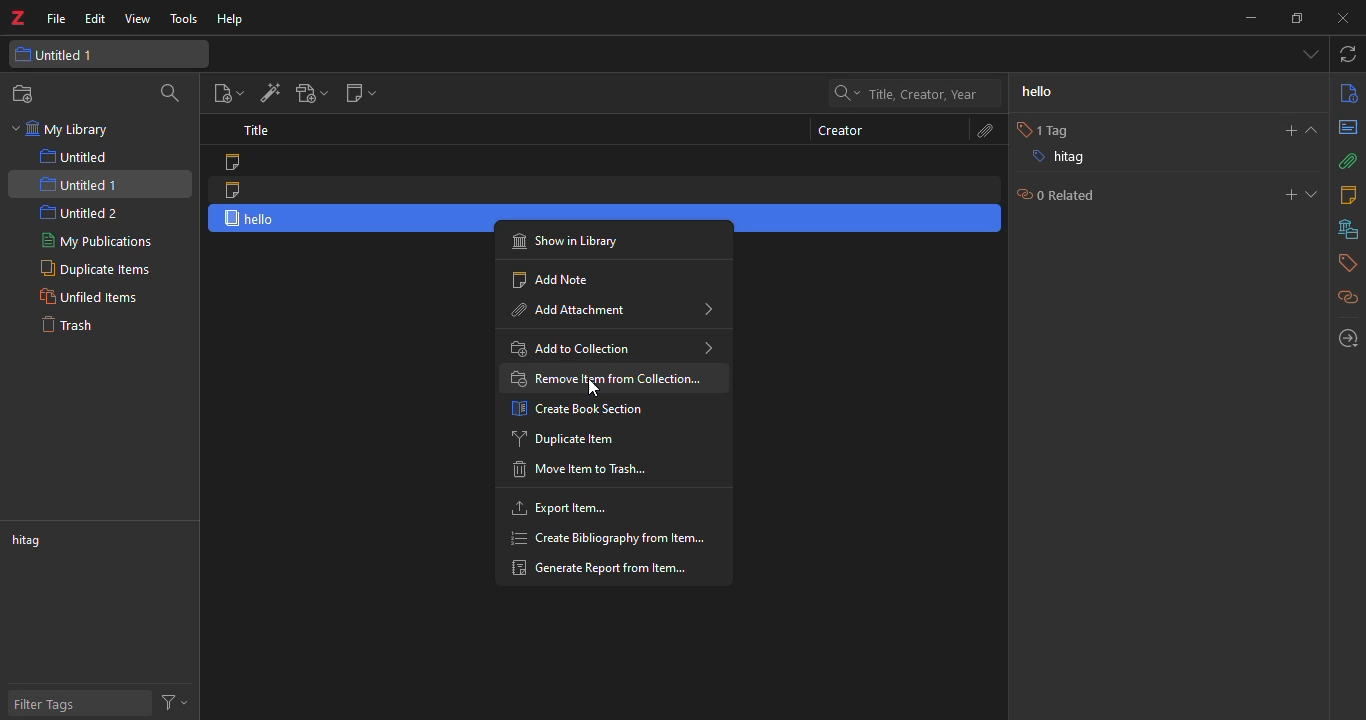 The image size is (1366, 720). Describe the element at coordinates (1349, 230) in the screenshot. I see `library` at that location.